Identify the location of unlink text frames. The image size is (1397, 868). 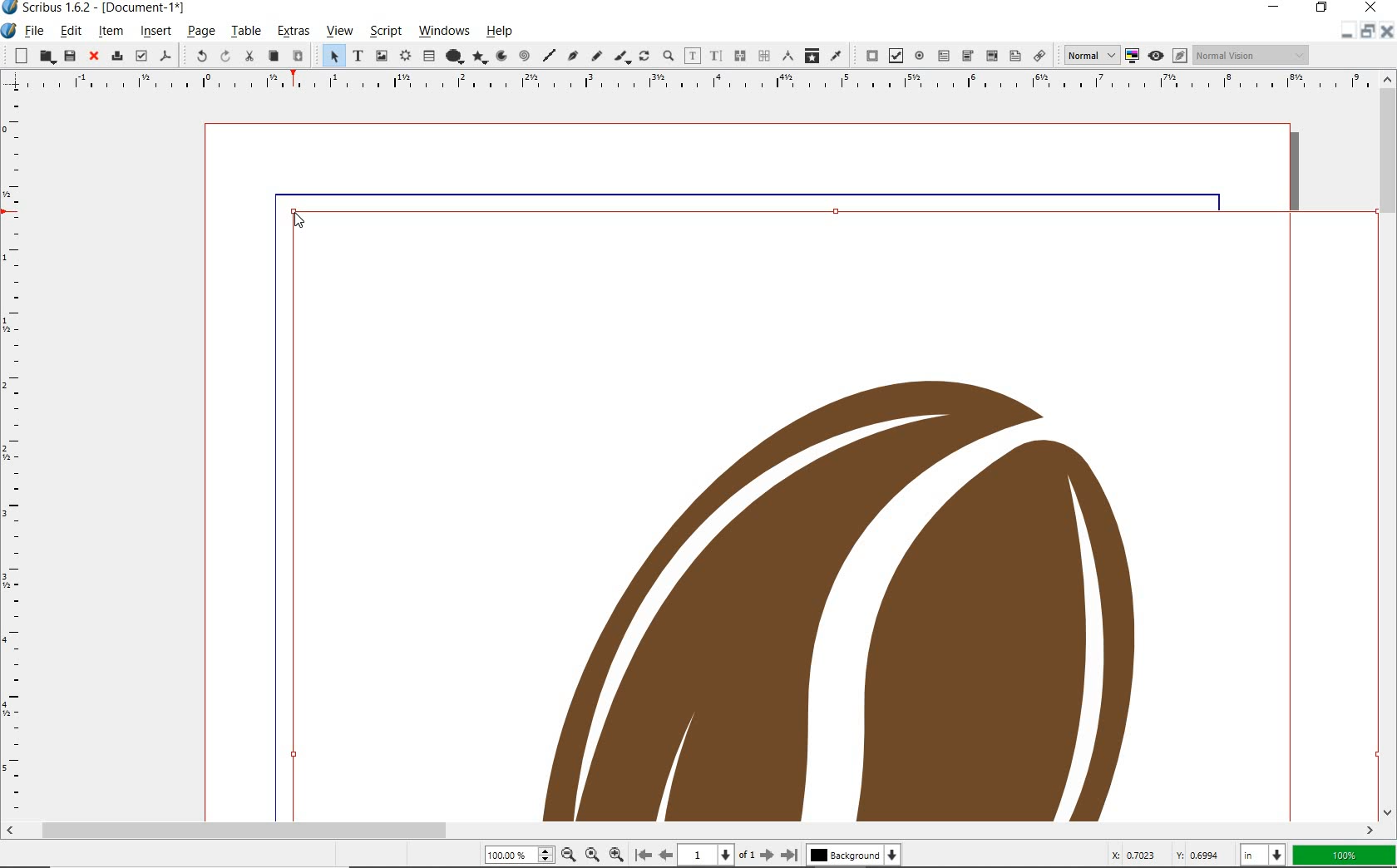
(764, 55).